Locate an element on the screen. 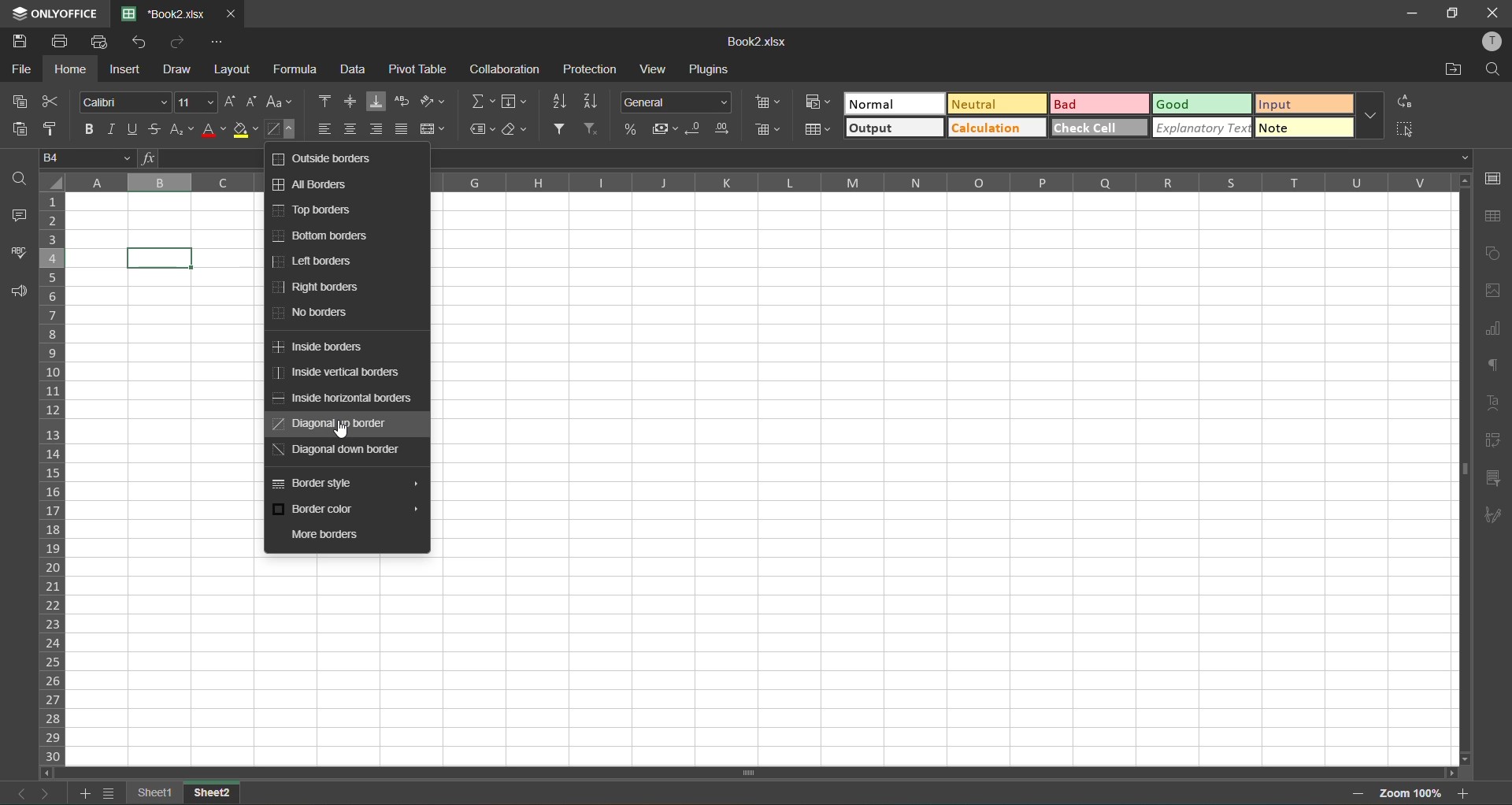 This screenshot has width=1512, height=805. CLOSE is located at coordinates (1491, 14).